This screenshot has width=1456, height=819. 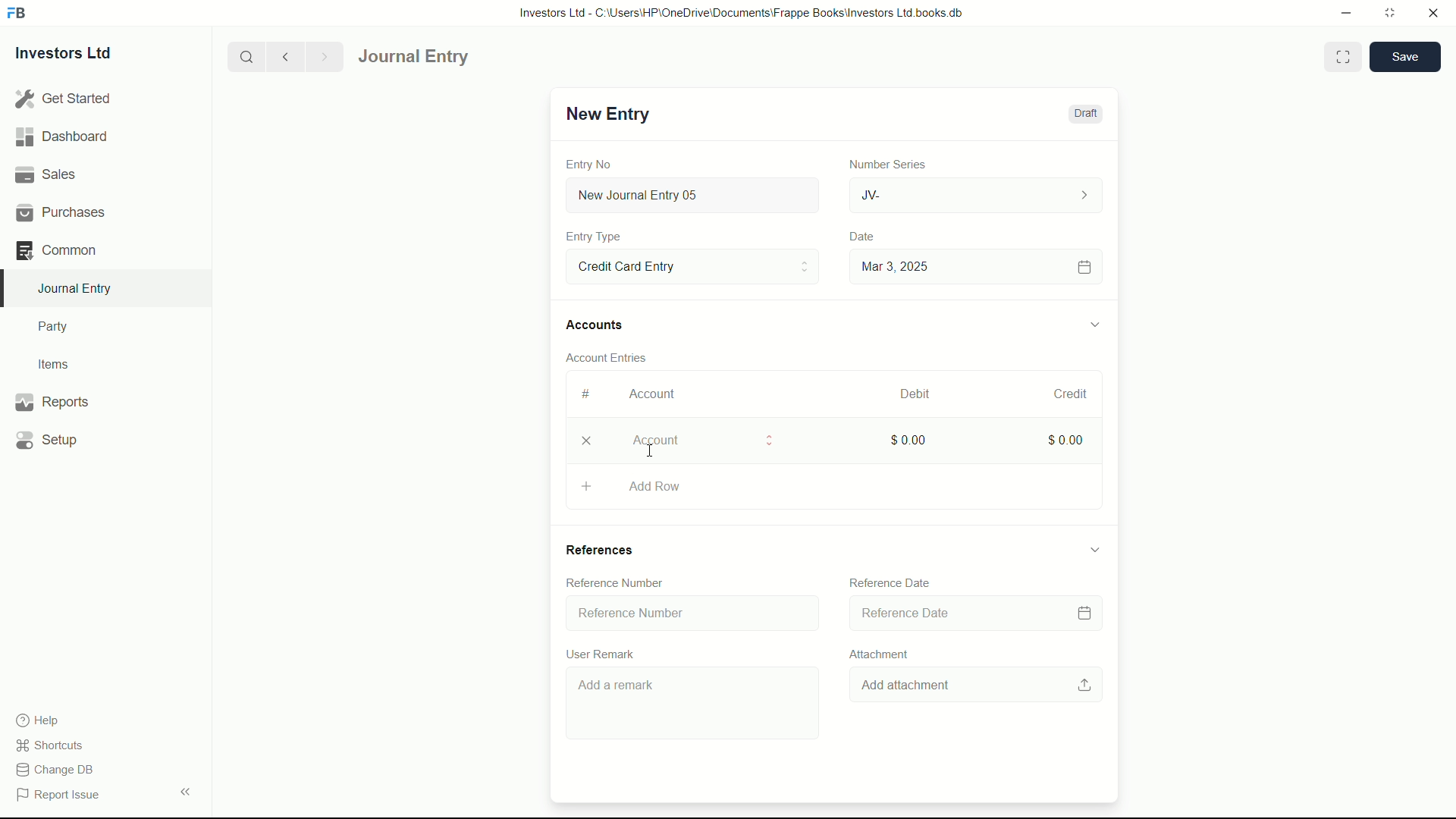 What do you see at coordinates (649, 450) in the screenshot?
I see `cursor` at bounding box center [649, 450].